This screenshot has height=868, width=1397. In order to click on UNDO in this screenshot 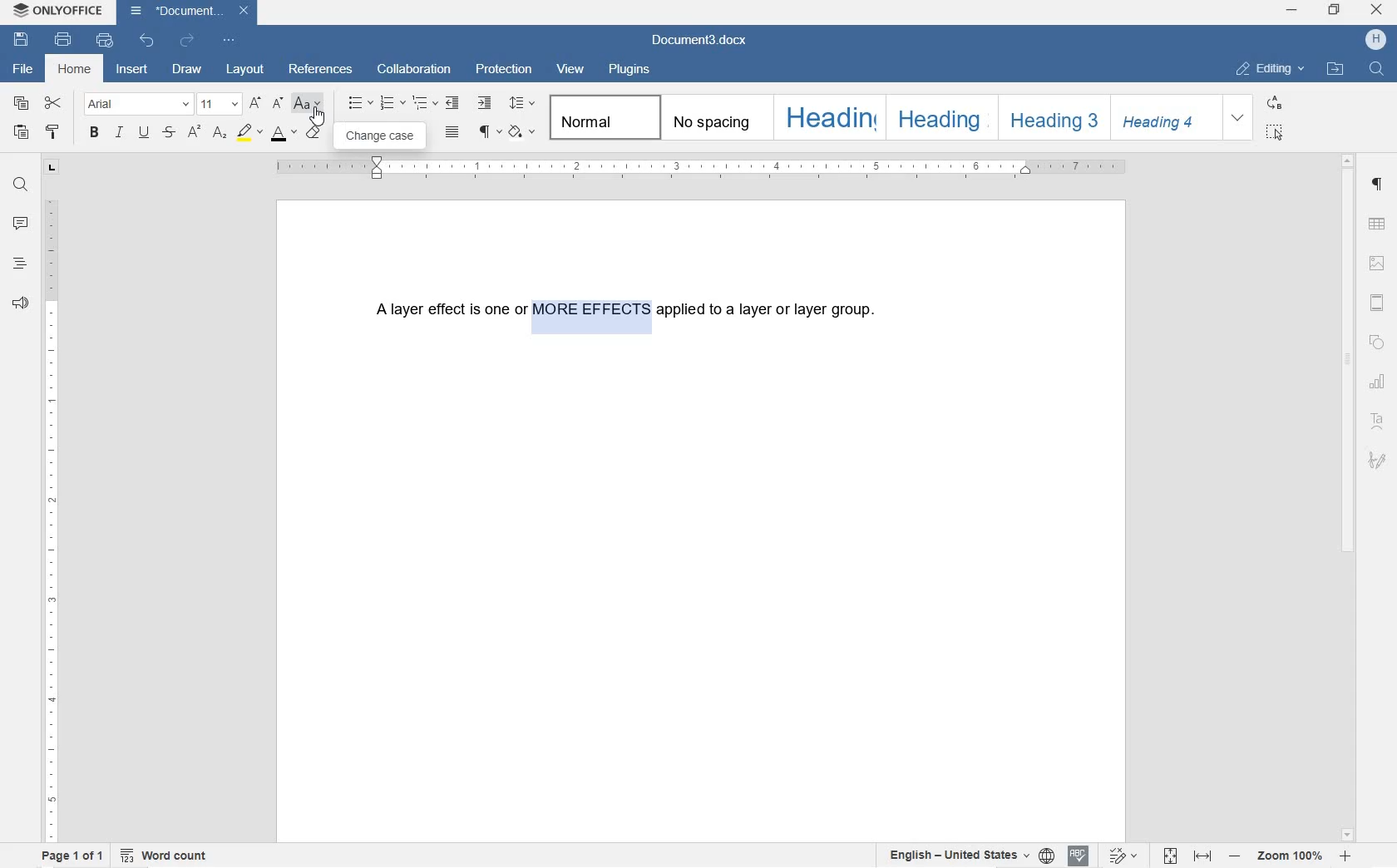, I will do `click(147, 42)`.